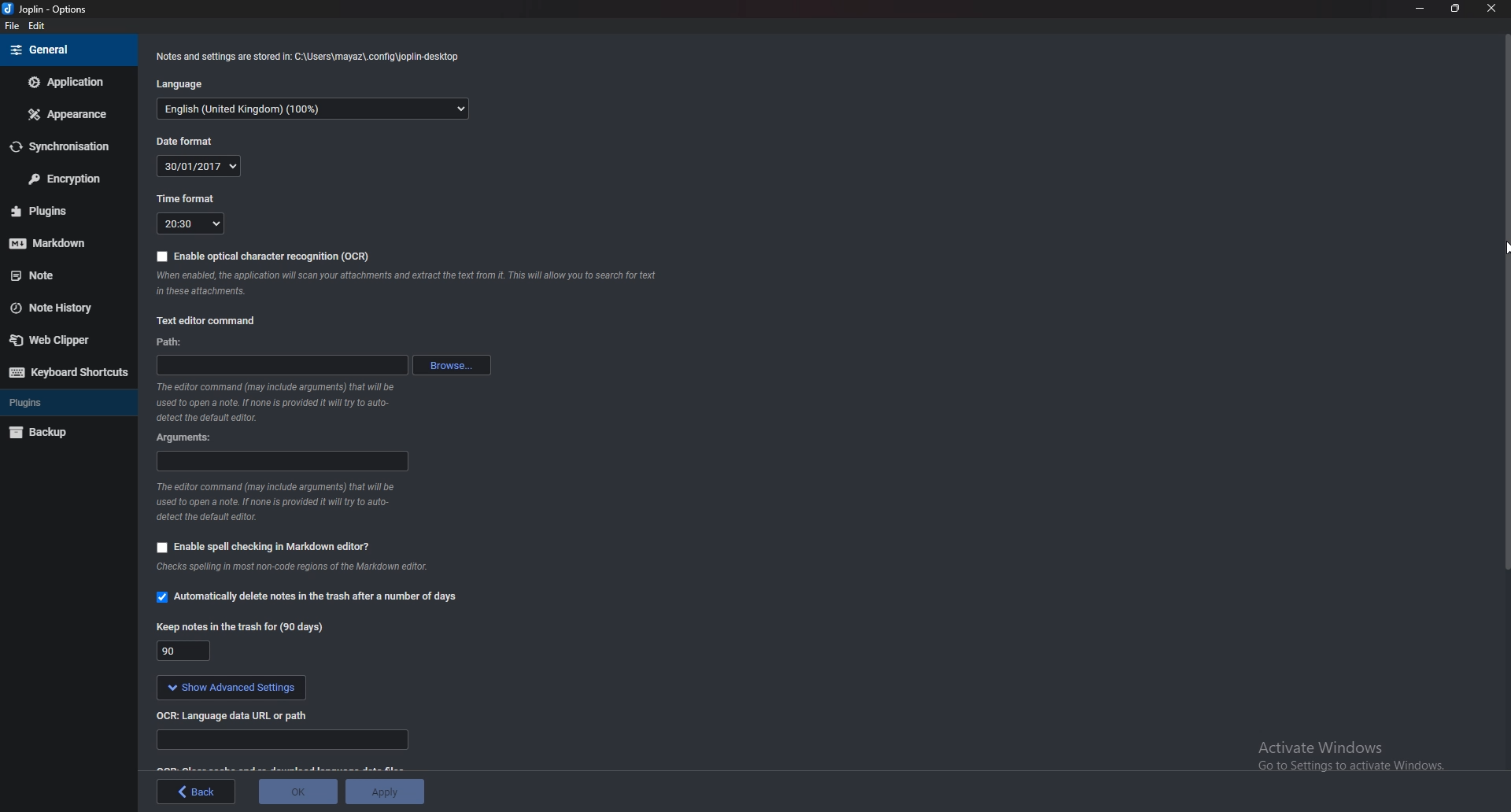 This screenshot has height=812, width=1511. I want to click on Note history, so click(59, 309).